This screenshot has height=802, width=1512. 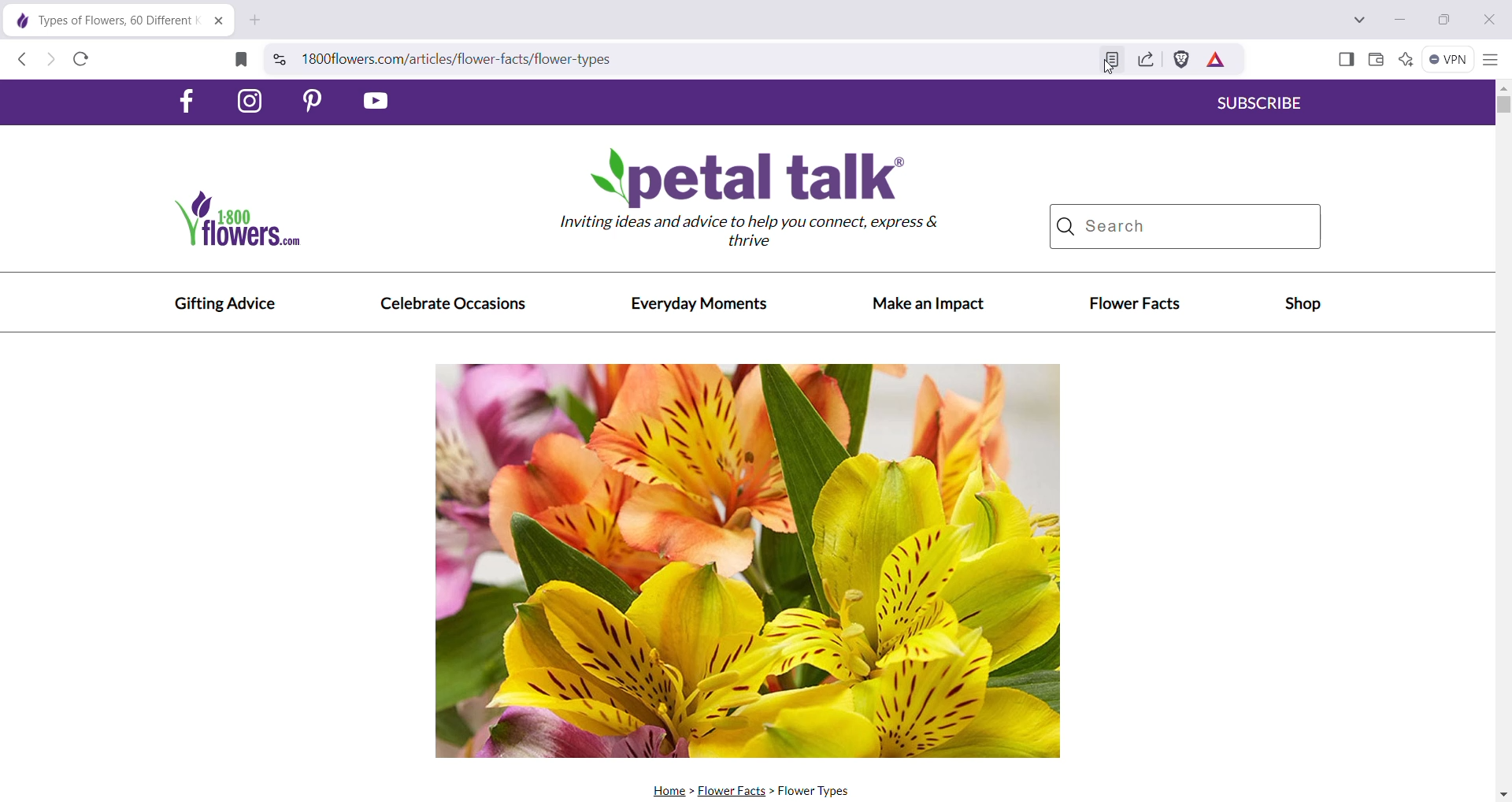 I want to click on Everyday Moments, so click(x=702, y=305).